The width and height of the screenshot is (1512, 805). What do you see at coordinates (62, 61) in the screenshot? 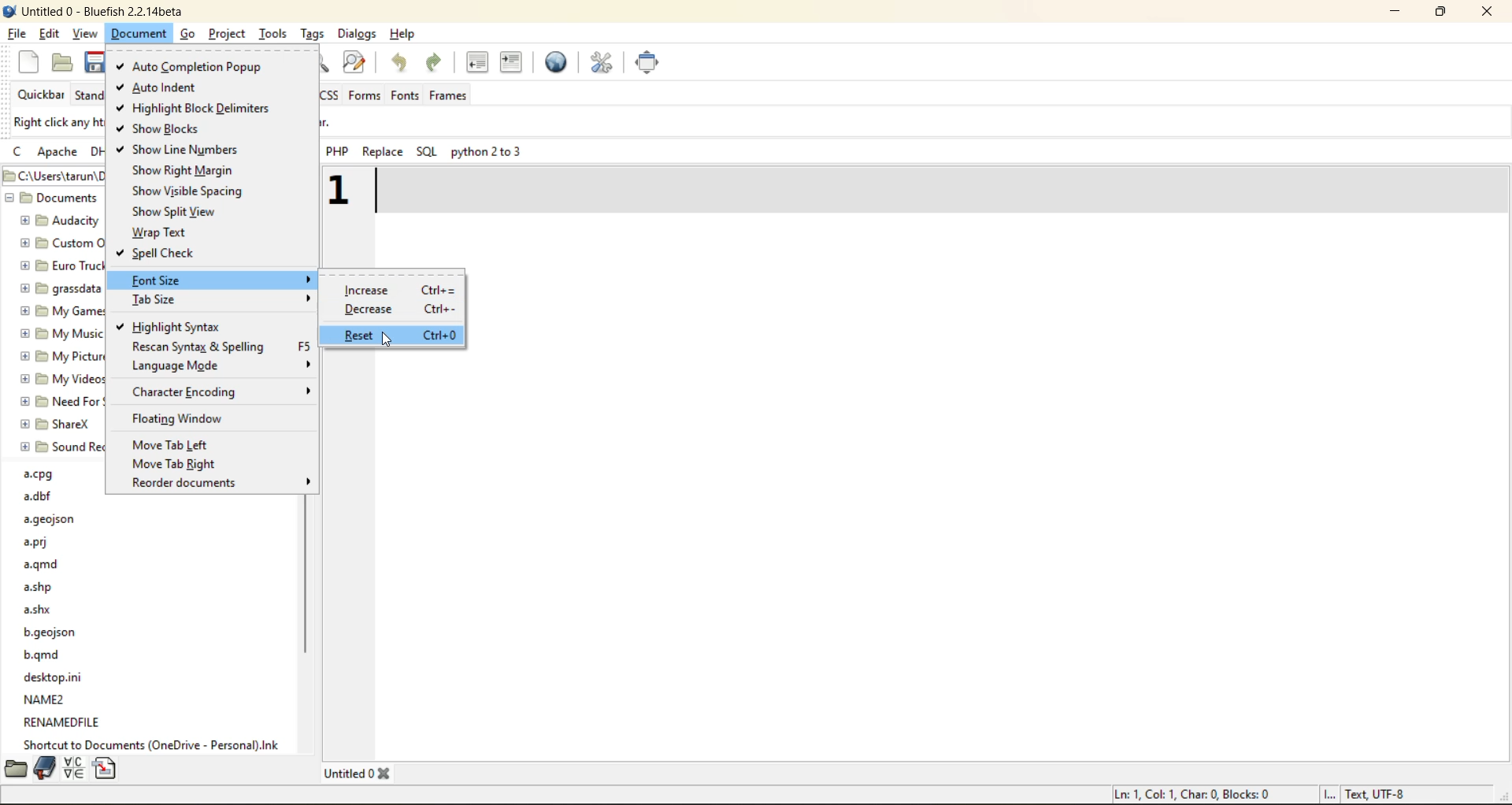
I see `open` at bounding box center [62, 61].